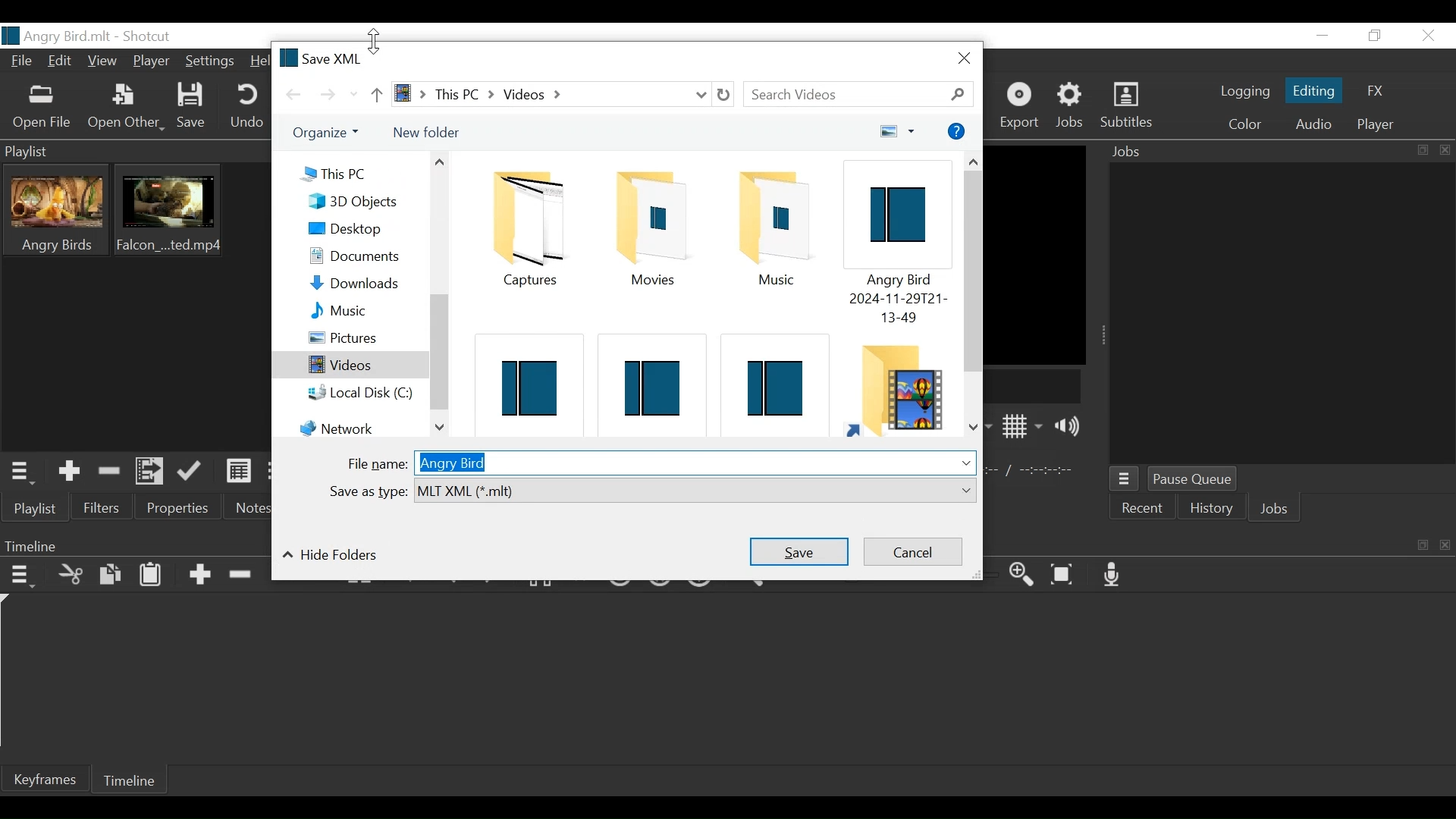  I want to click on View as Detail, so click(239, 474).